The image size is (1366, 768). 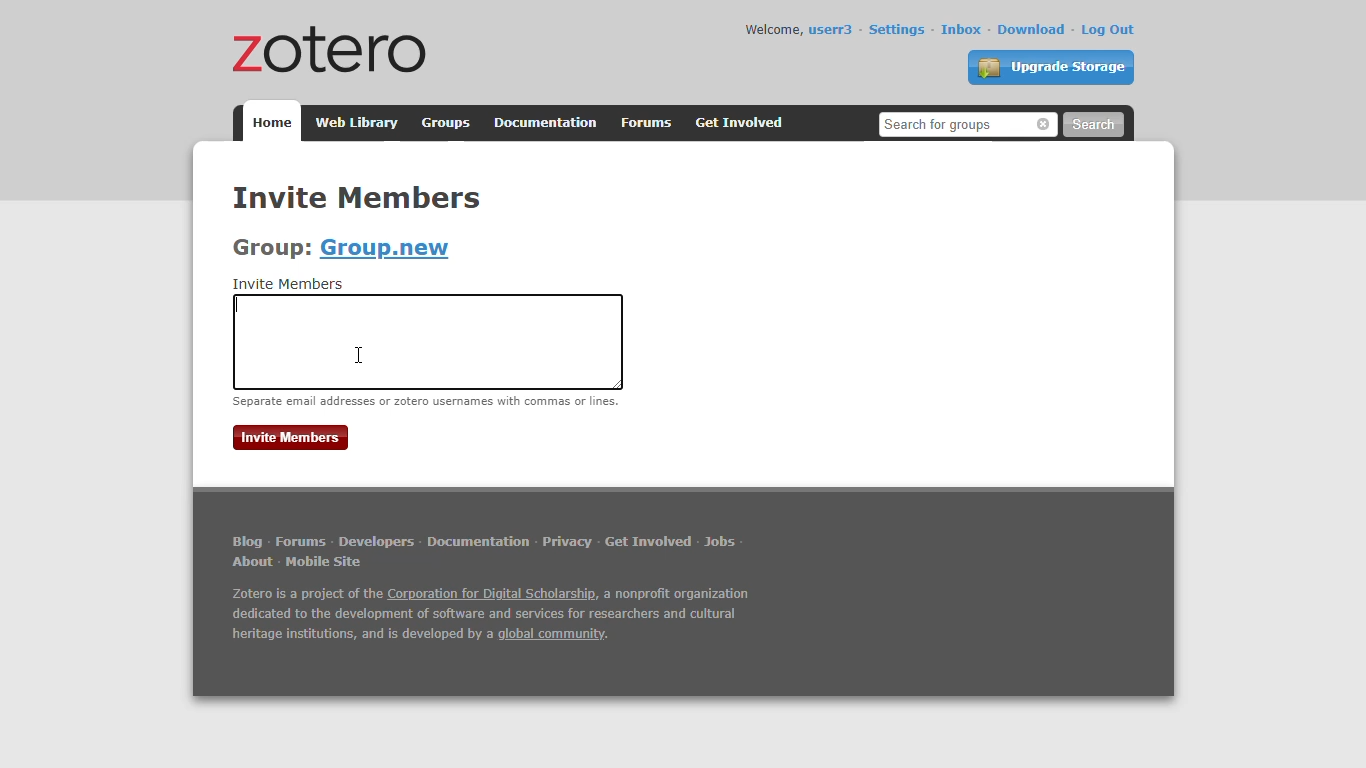 I want to click on invite members, so click(x=357, y=196).